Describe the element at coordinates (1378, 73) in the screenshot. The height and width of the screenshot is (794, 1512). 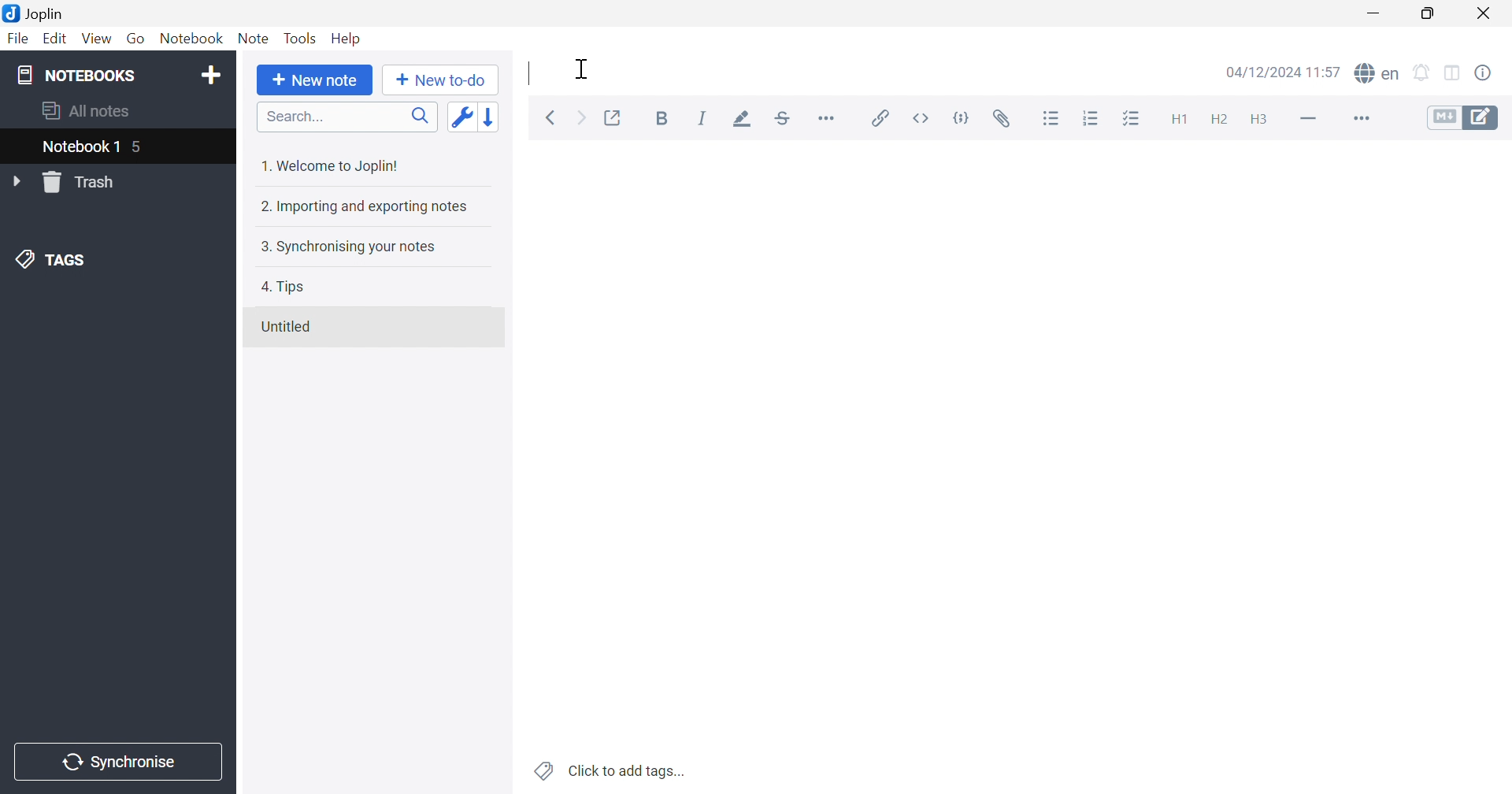
I see `Spell checker` at that location.